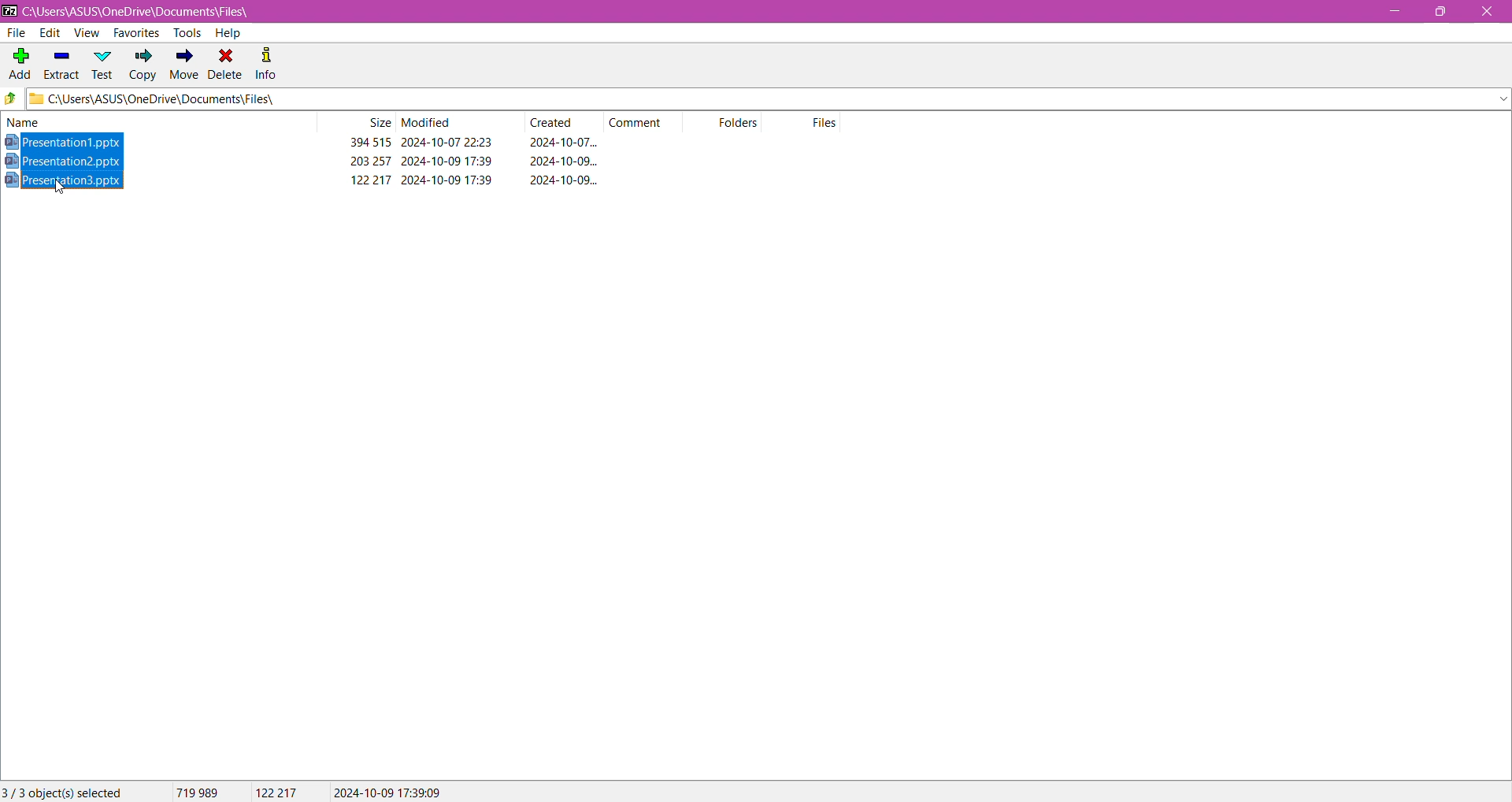  I want to click on Name, so click(39, 122).